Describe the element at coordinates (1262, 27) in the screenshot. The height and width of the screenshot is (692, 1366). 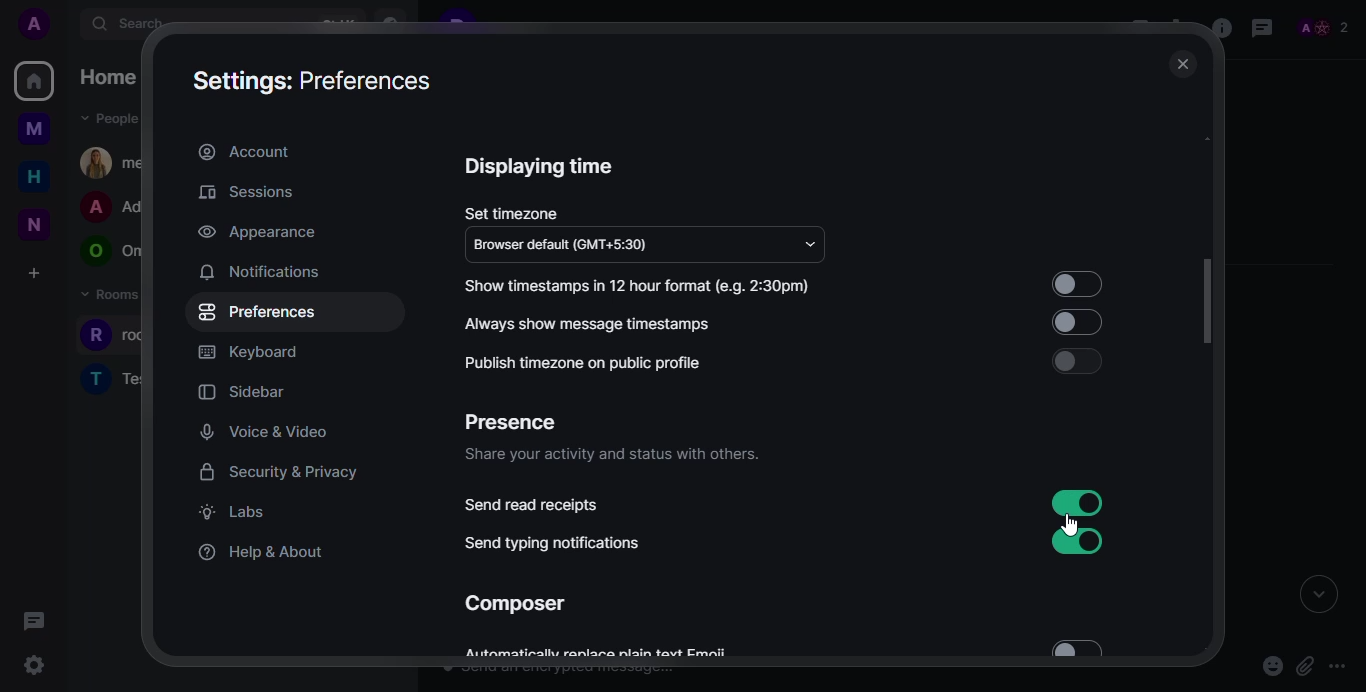
I see `threads` at that location.